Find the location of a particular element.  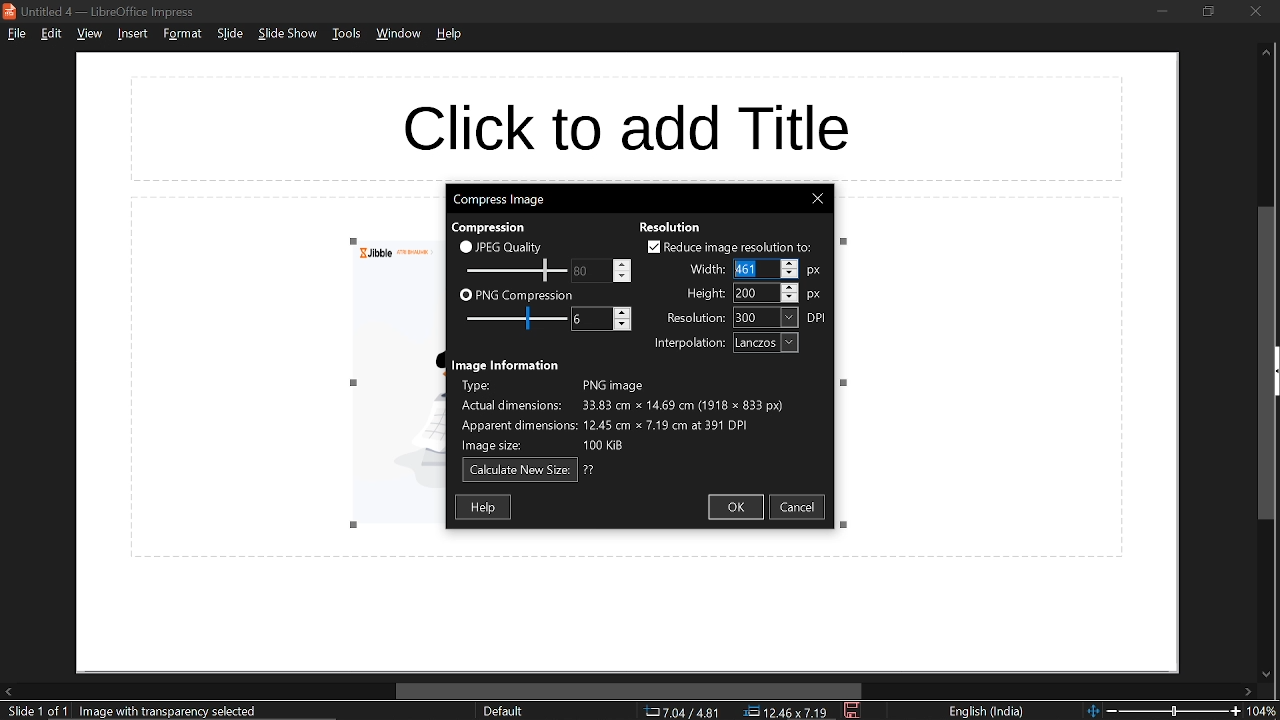

current zoom is located at coordinates (1265, 711).